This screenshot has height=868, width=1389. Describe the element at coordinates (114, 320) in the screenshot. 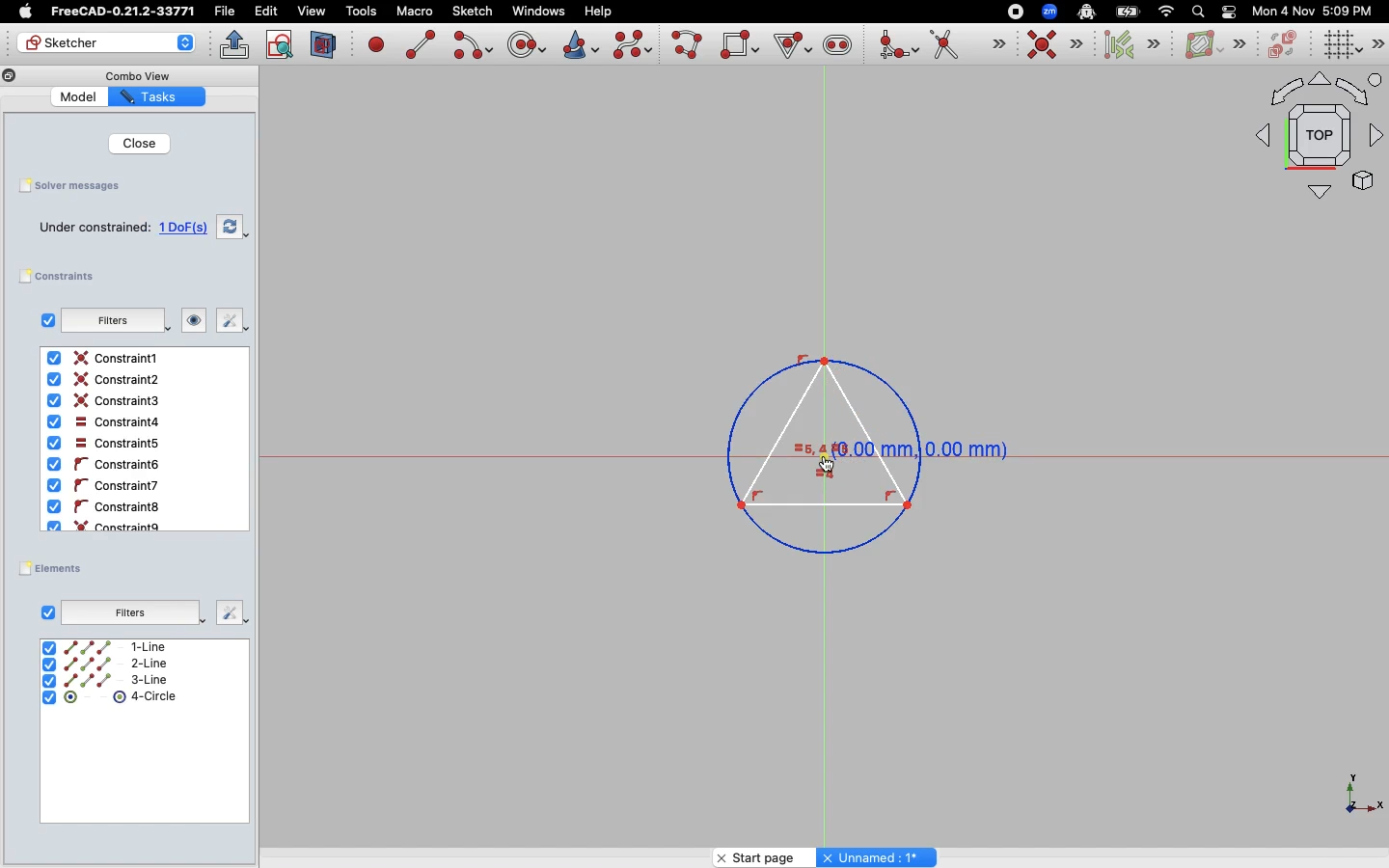

I see `Filters` at that location.